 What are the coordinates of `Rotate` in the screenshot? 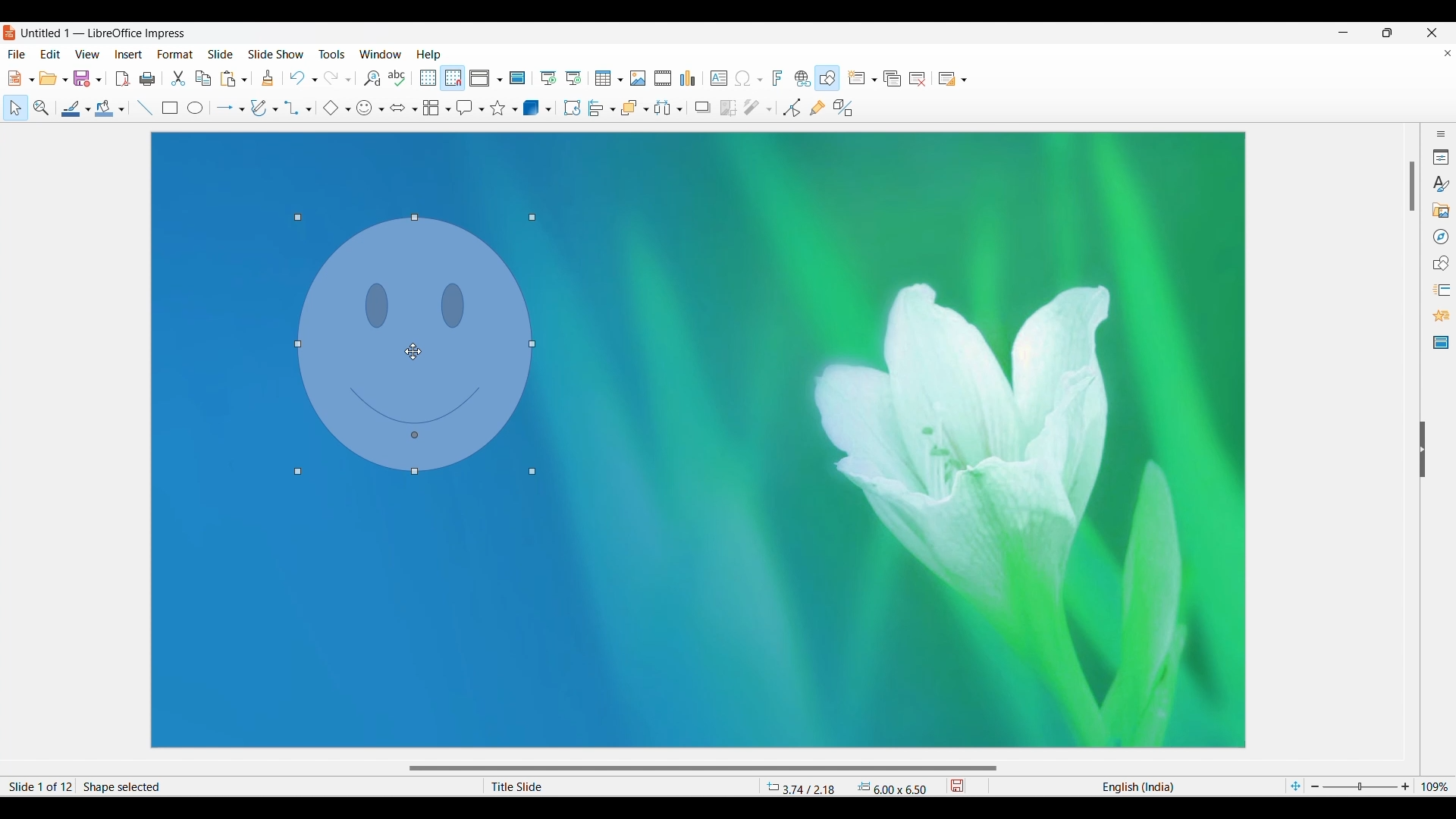 It's located at (572, 107).